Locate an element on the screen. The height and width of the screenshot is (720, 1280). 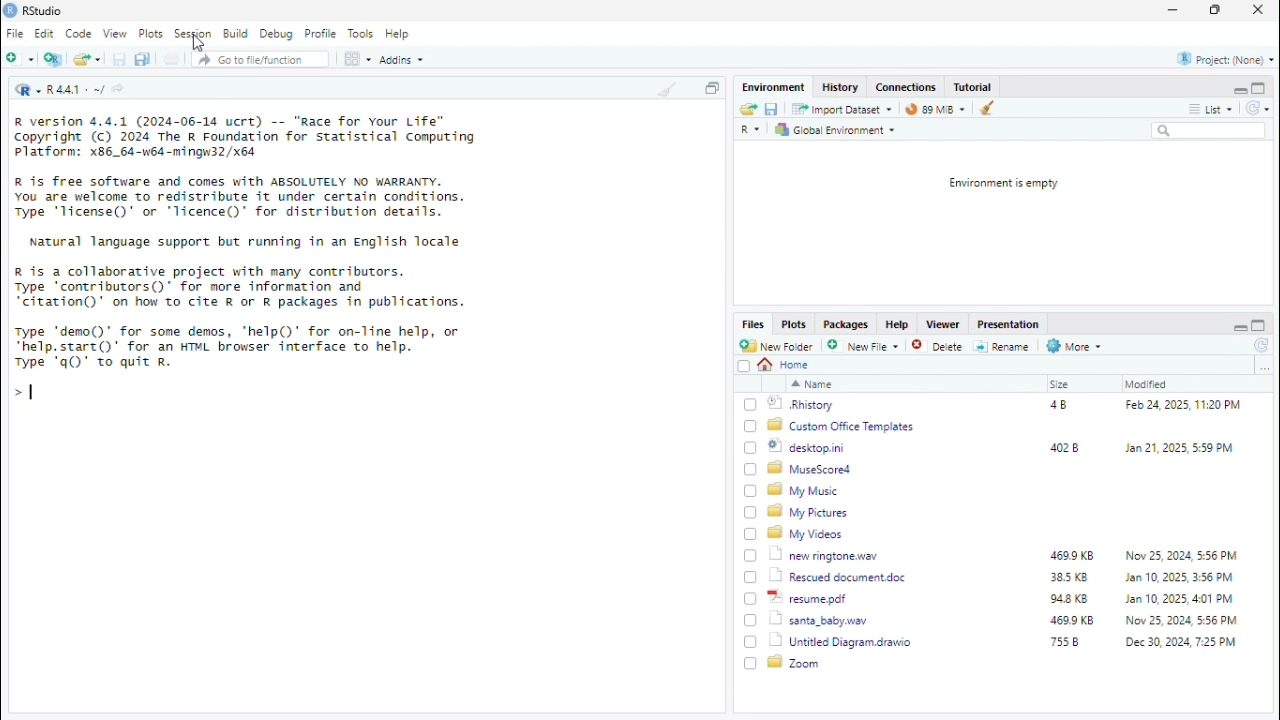
search box is located at coordinates (1209, 130).